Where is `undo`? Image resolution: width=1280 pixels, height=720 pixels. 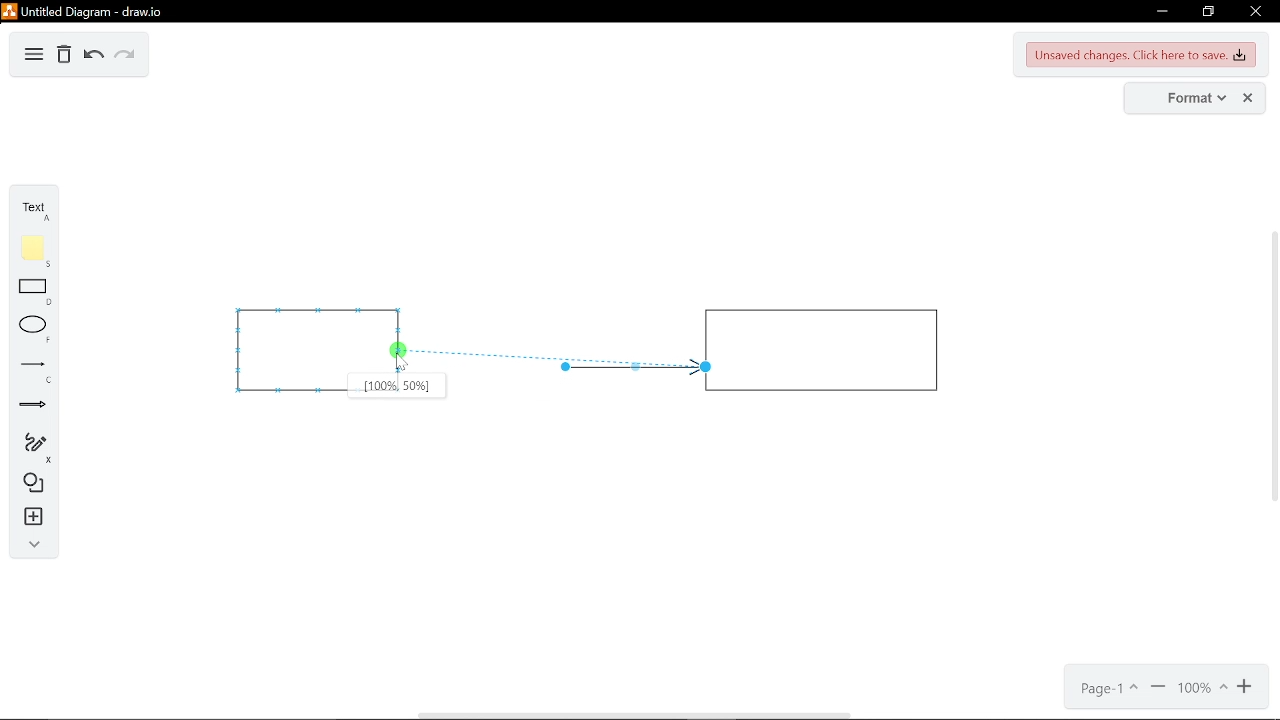
undo is located at coordinates (92, 57).